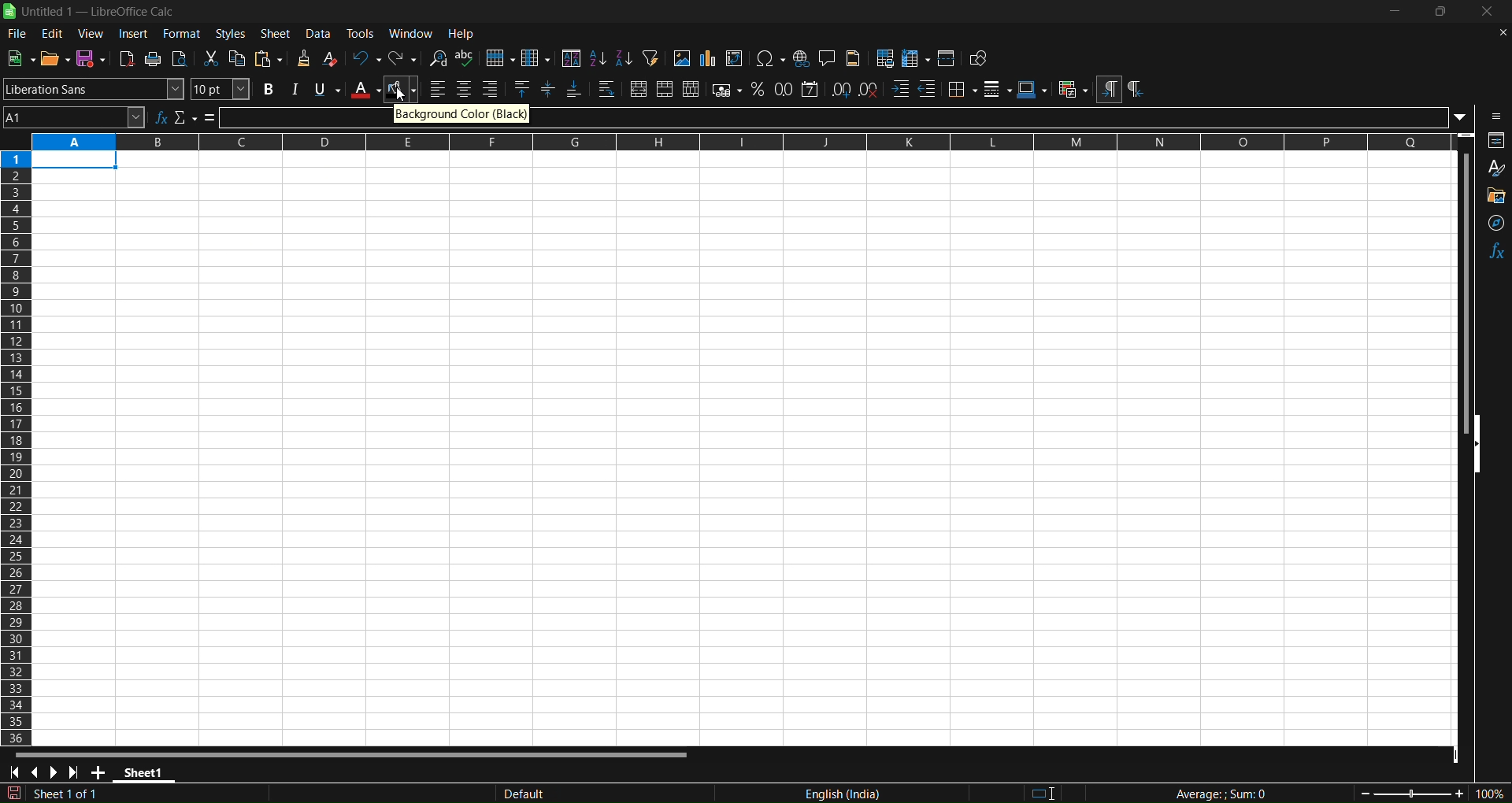 The height and width of the screenshot is (803, 1512). Describe the element at coordinates (93, 89) in the screenshot. I see `font name` at that location.